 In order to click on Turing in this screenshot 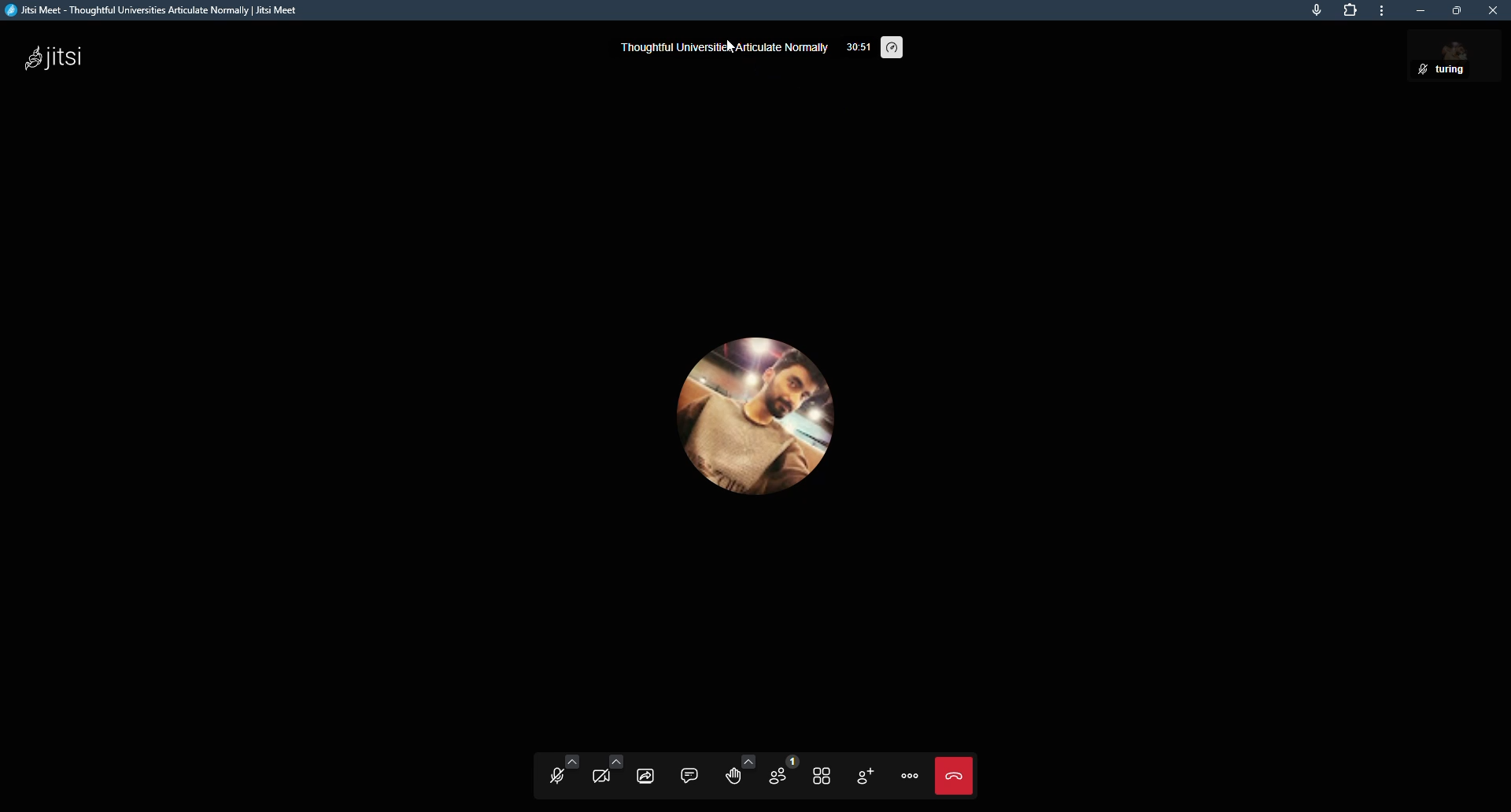, I will do `click(1467, 68)`.